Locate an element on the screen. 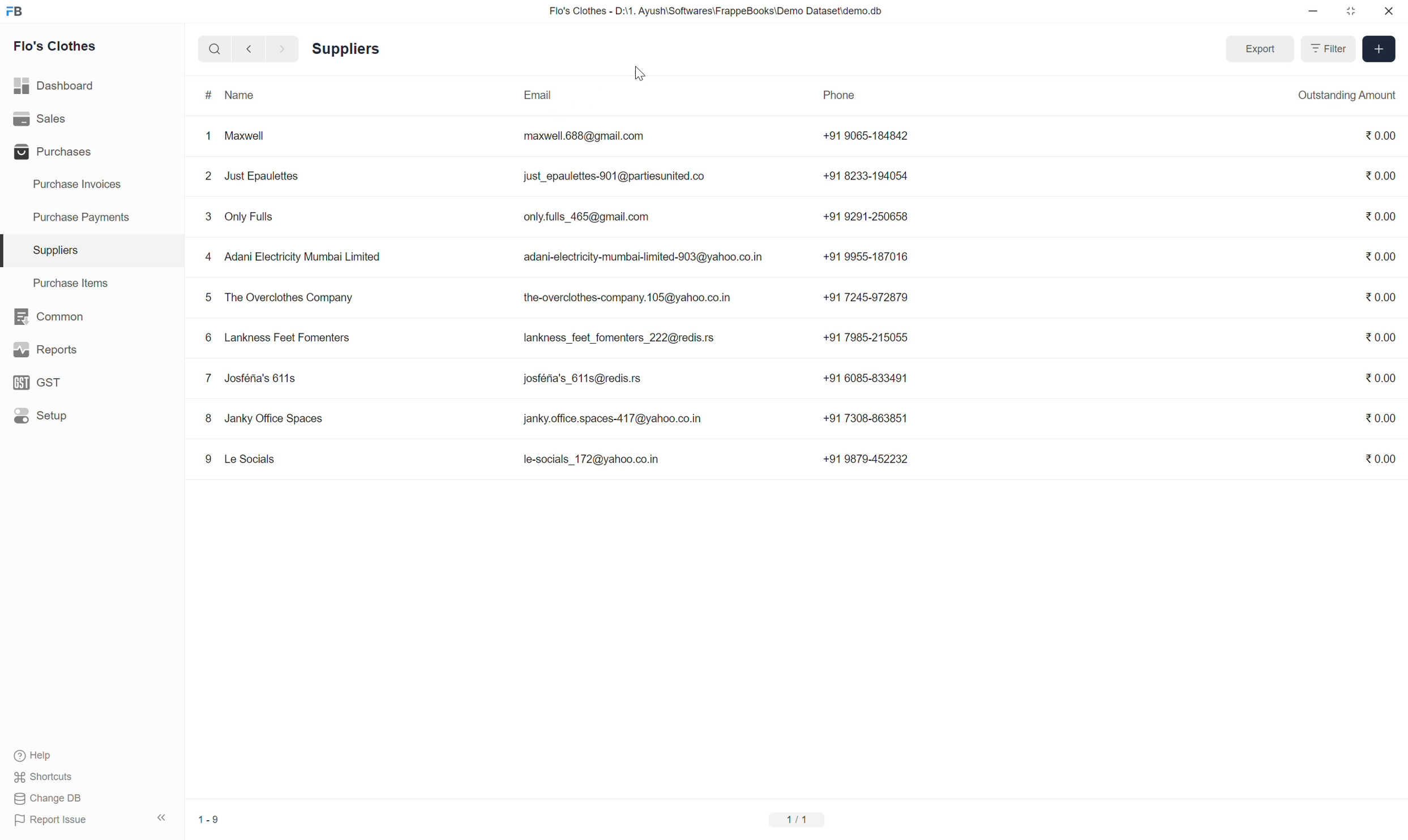 The image size is (1408, 840). 1/1 is located at coordinates (798, 820).